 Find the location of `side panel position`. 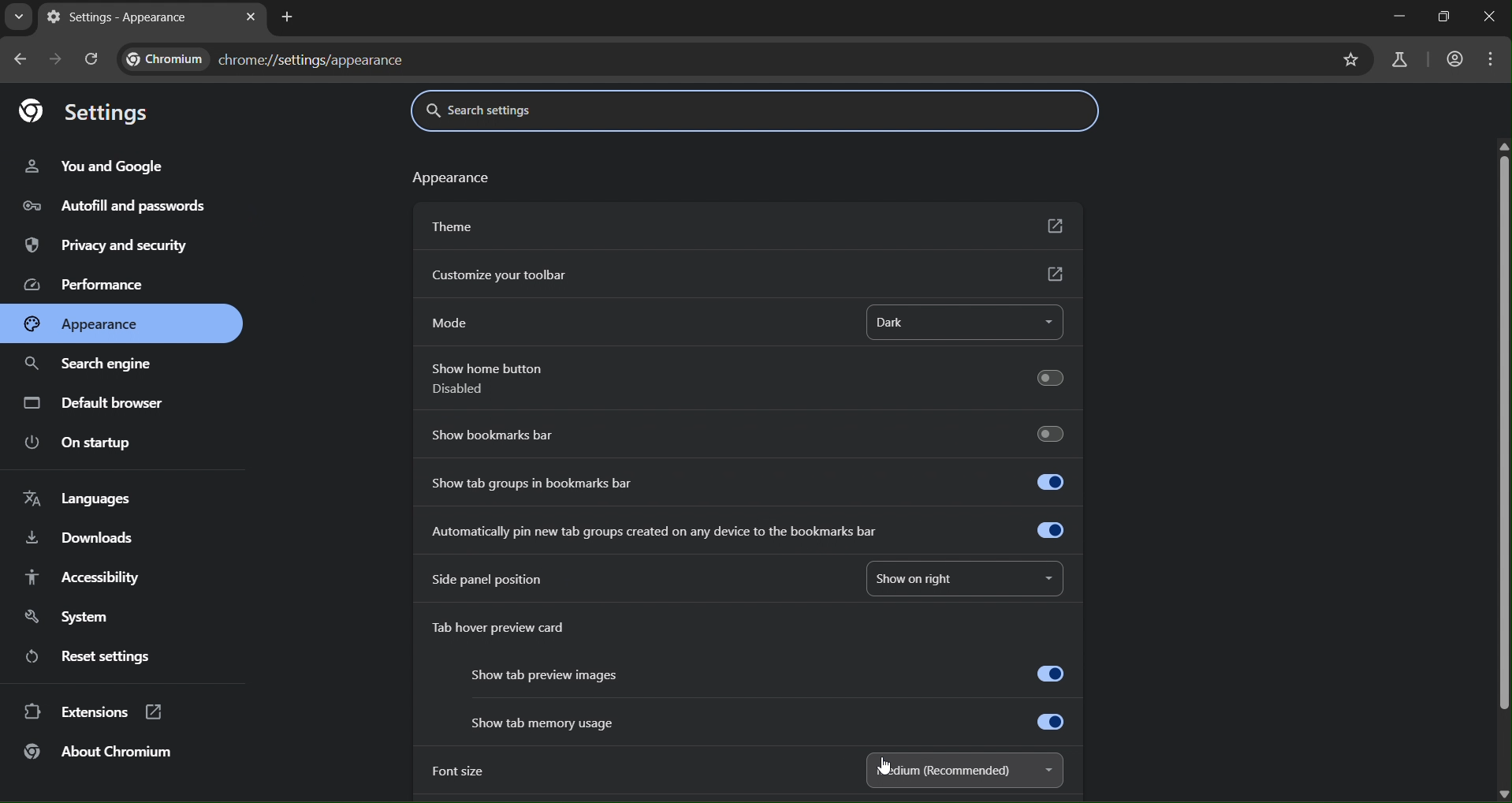

side panel position is located at coordinates (501, 578).